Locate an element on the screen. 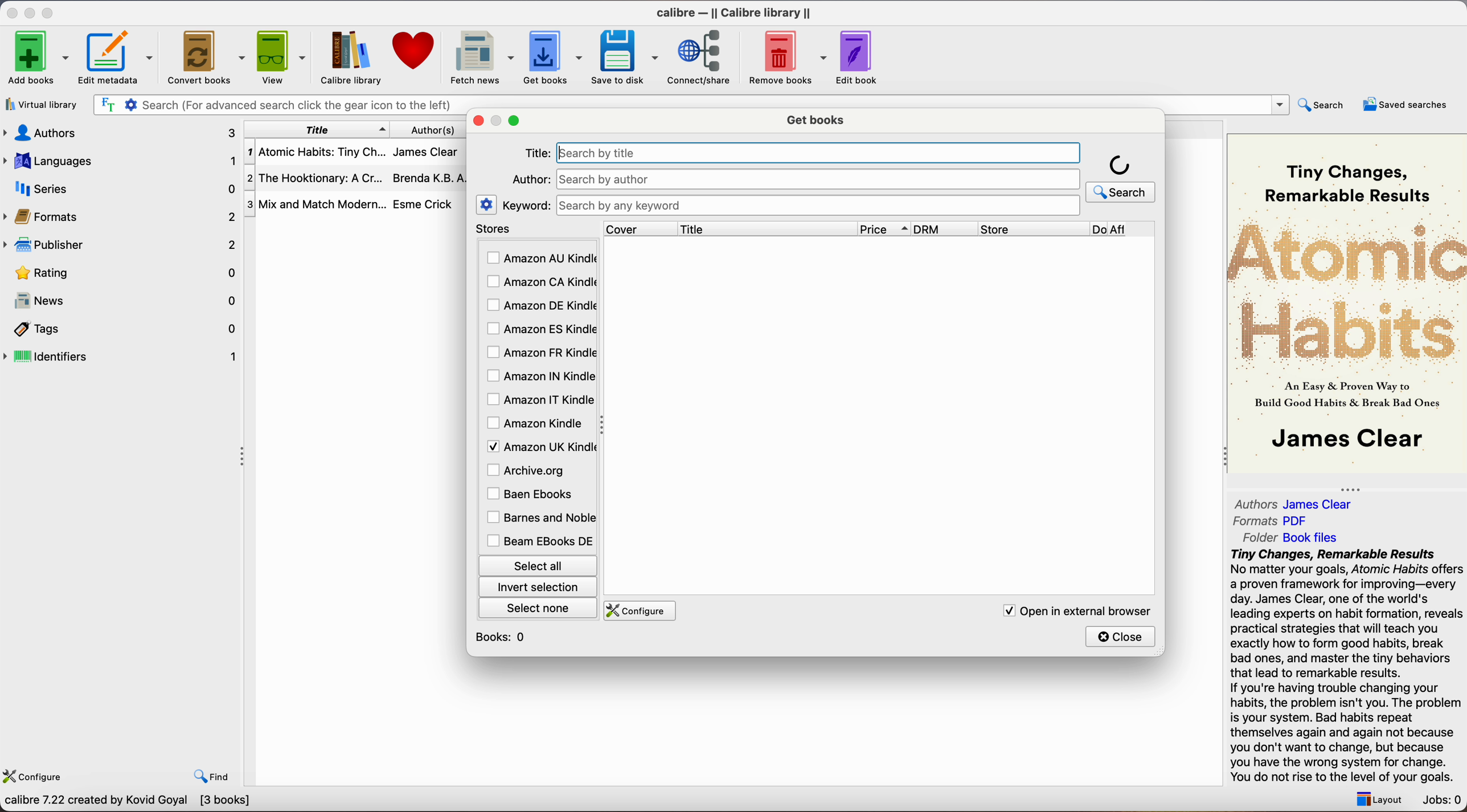 The height and width of the screenshot is (812, 1467). edit book is located at coordinates (859, 58).